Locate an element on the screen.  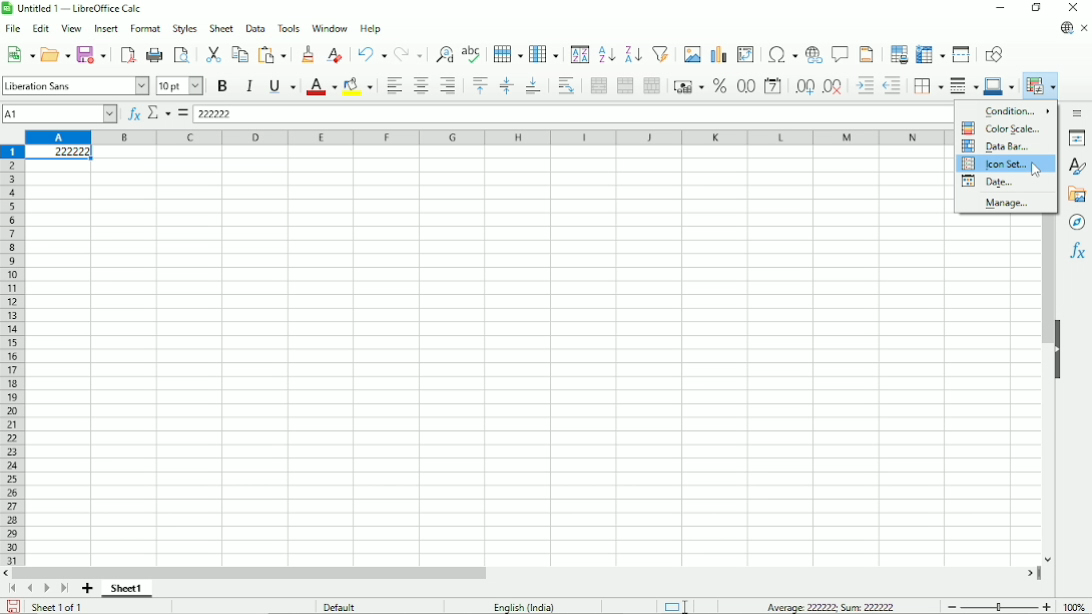
View is located at coordinates (71, 28).